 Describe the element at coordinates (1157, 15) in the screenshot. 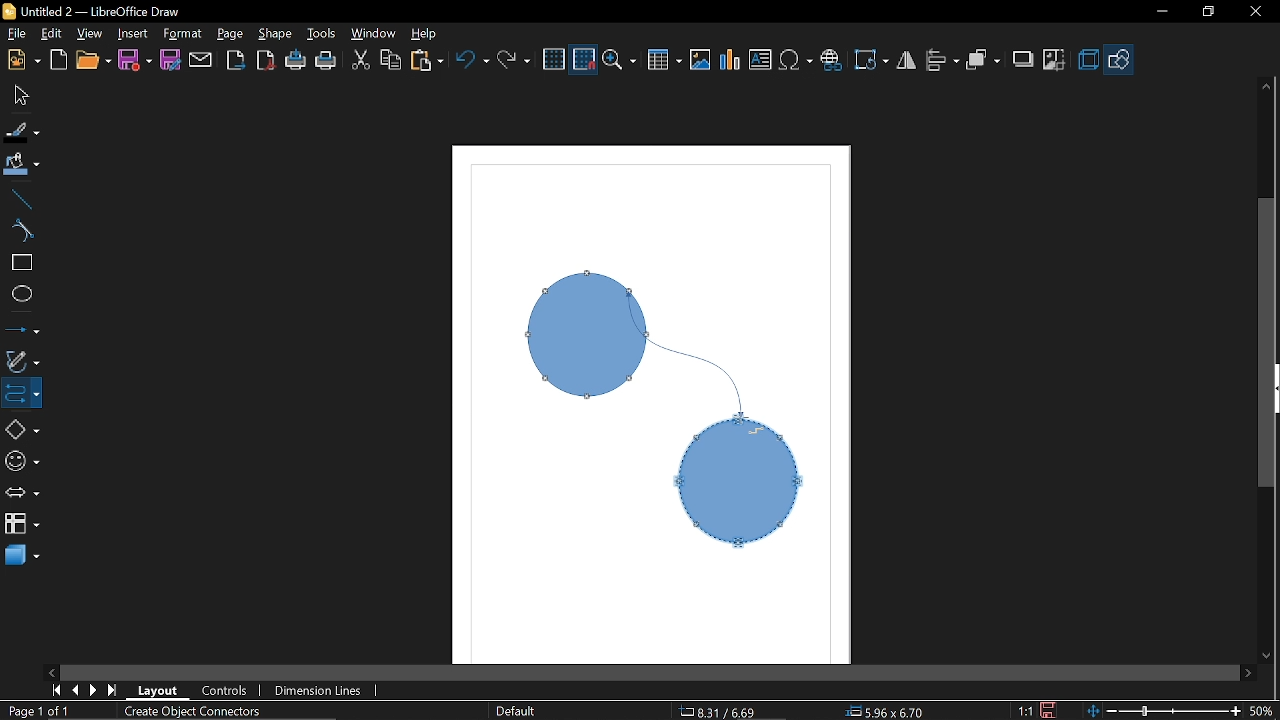

I see `Minimize` at that location.